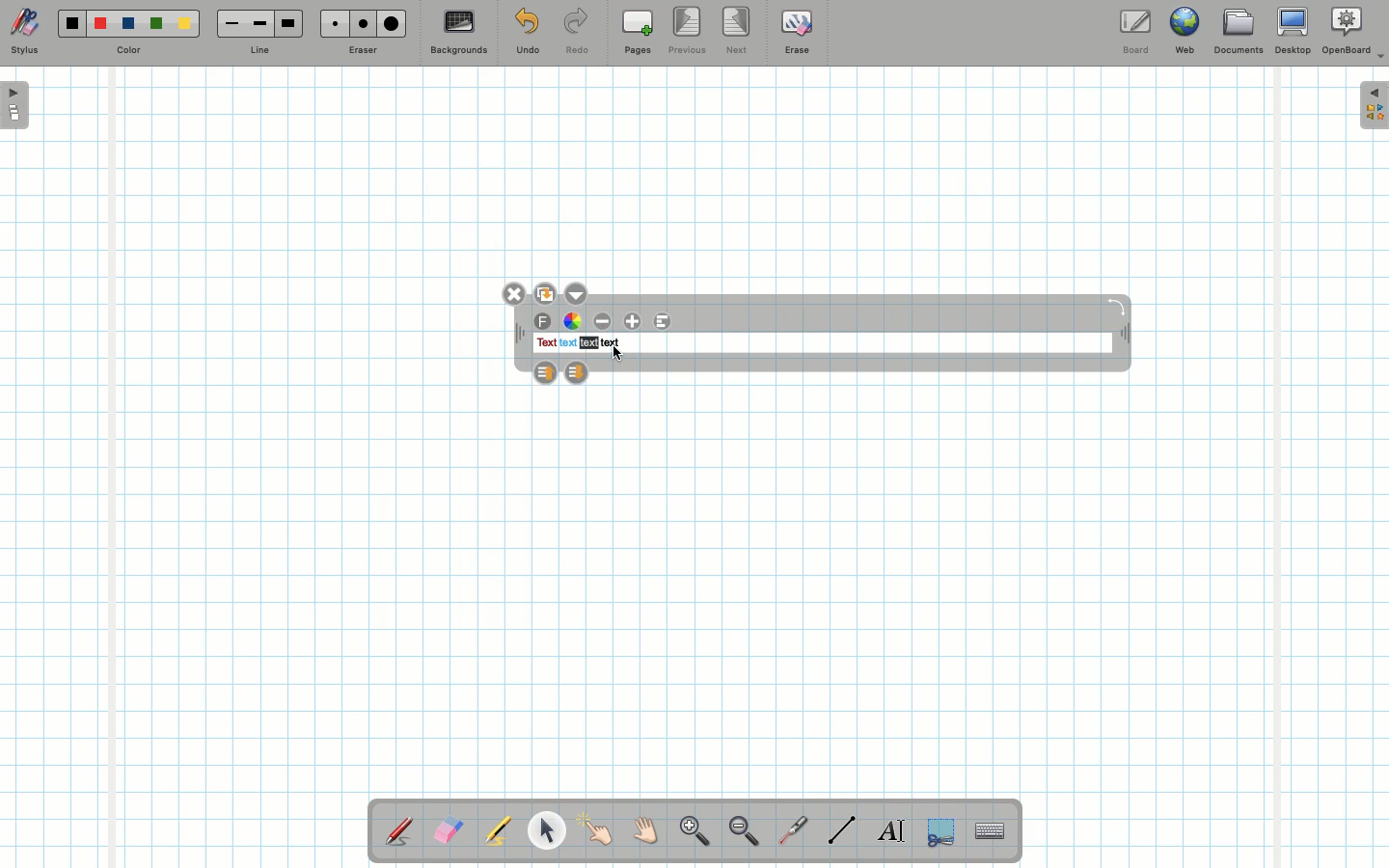 This screenshot has width=1389, height=868. Describe the element at coordinates (939, 829) in the screenshot. I see `Selection` at that location.